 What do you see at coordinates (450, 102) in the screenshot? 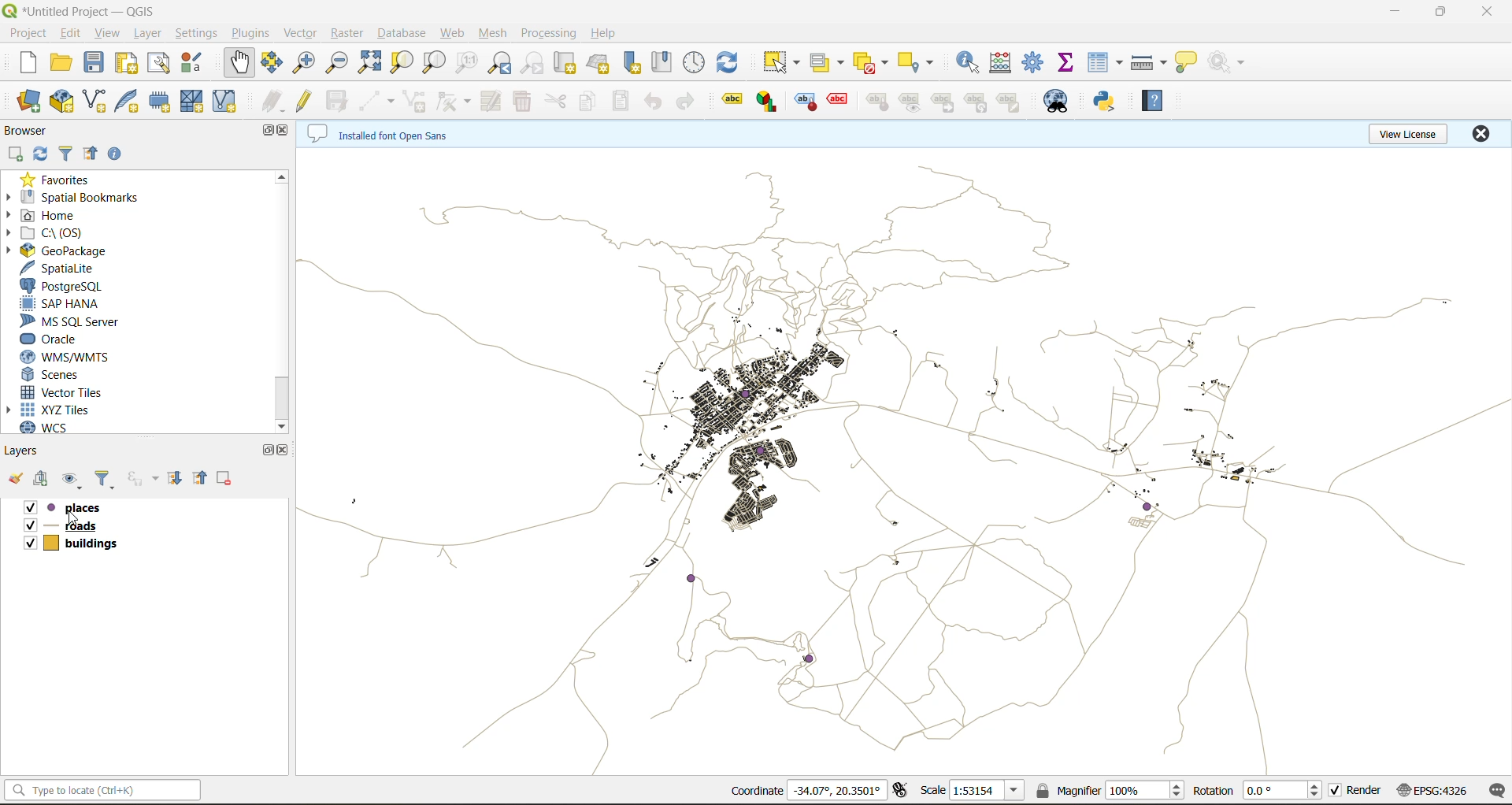
I see `draw` at bounding box center [450, 102].